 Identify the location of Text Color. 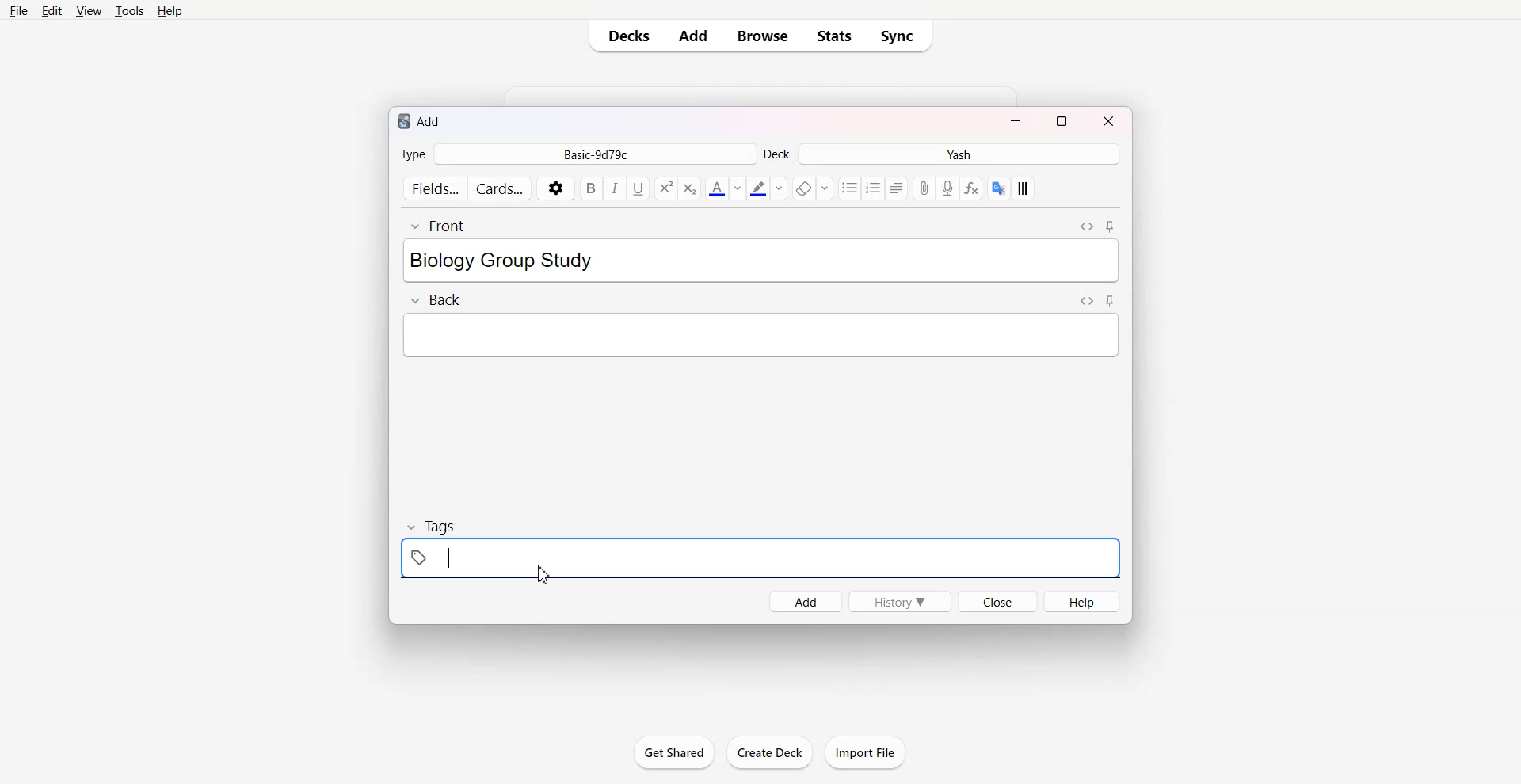
(724, 188).